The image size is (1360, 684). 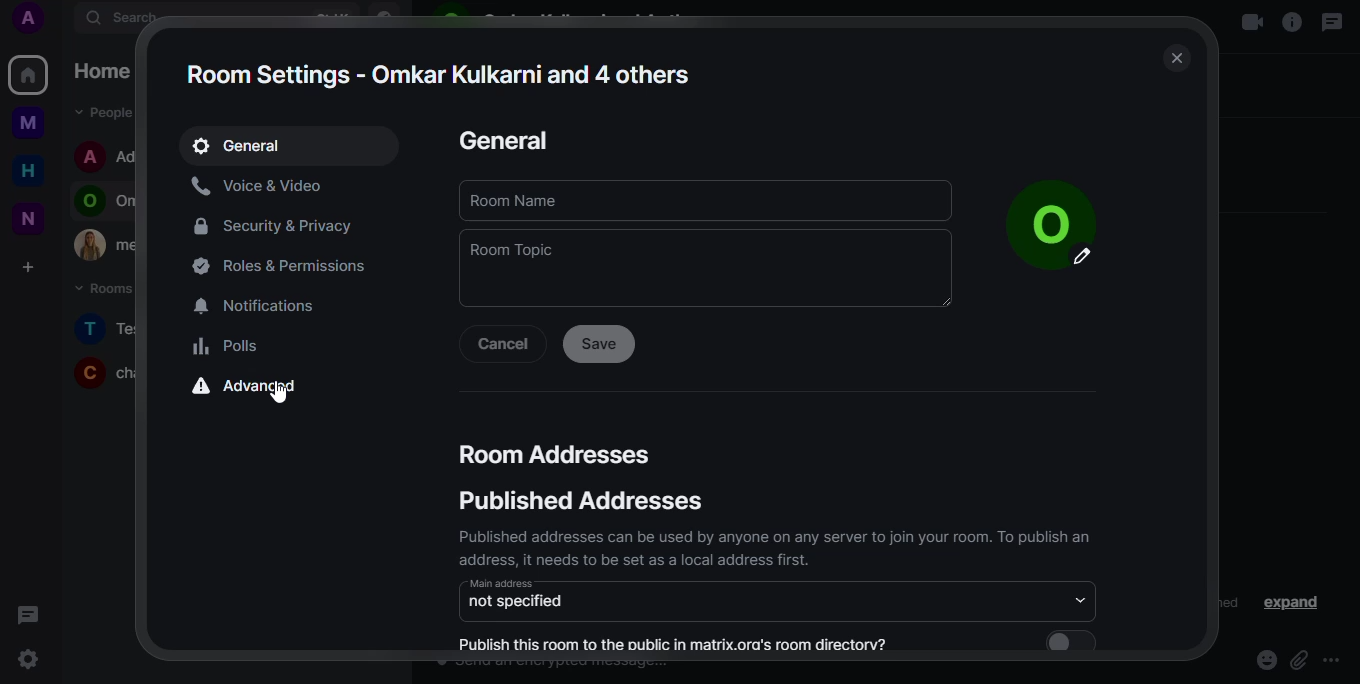 I want to click on message, so click(x=31, y=615).